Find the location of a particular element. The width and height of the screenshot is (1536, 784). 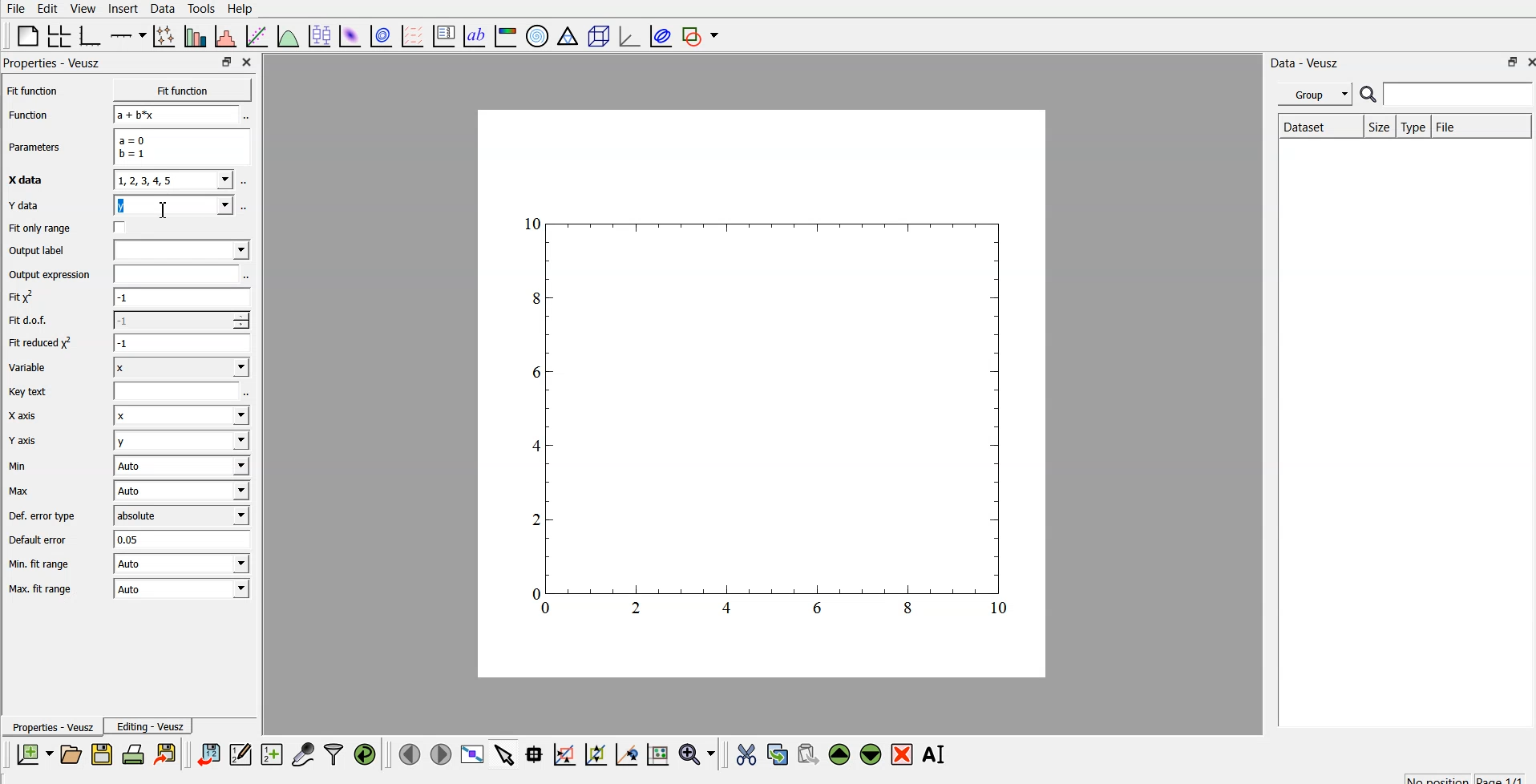

file is located at coordinates (1478, 126).